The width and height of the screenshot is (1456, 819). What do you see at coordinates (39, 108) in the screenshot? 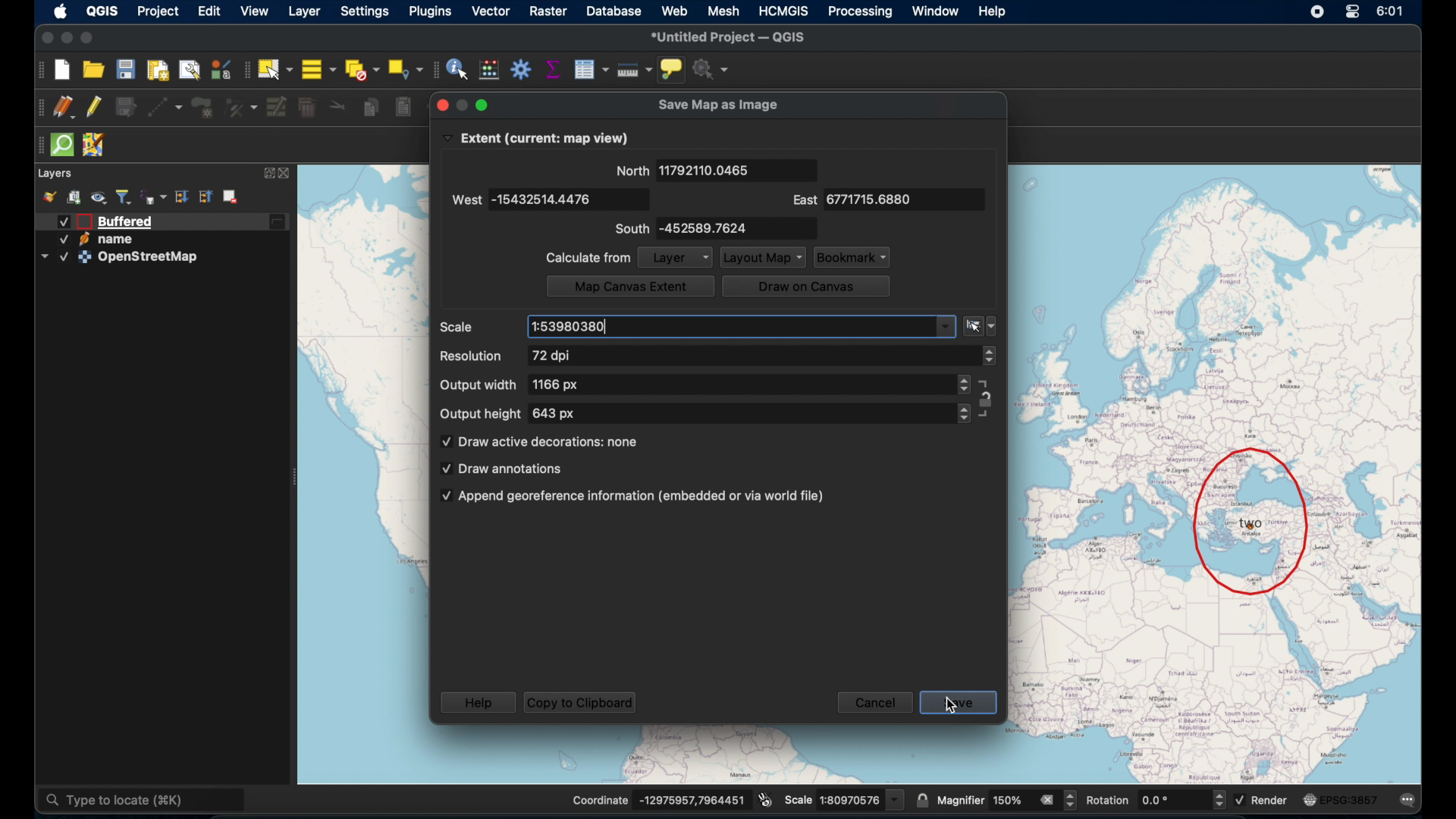
I see `drag handle` at bounding box center [39, 108].